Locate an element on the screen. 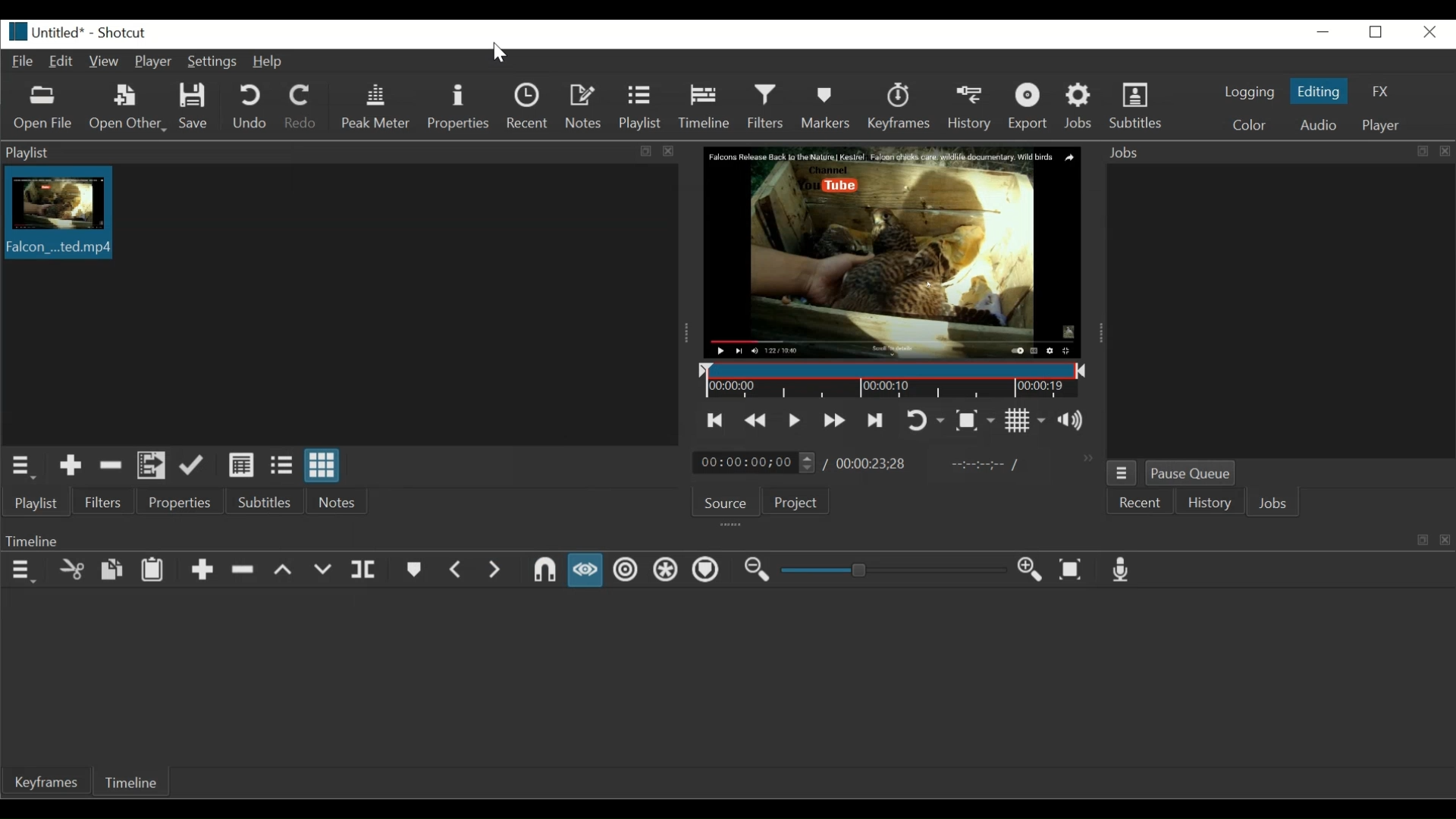 The image size is (1456, 819). Jobs is located at coordinates (1276, 152).